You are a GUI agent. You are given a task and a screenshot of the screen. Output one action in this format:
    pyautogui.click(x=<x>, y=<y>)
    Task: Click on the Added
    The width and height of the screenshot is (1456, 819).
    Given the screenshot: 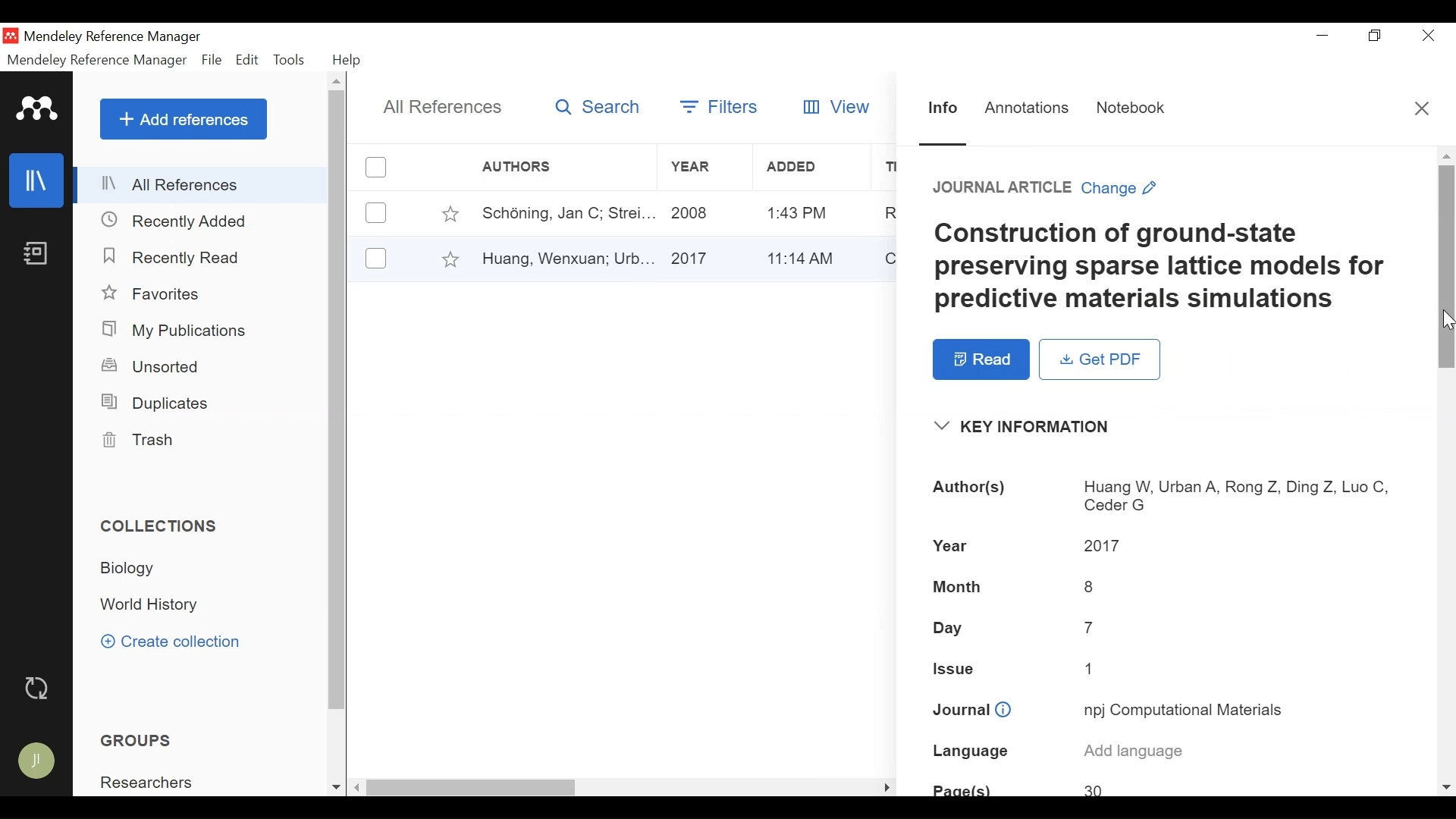 What is the action you would take?
    pyautogui.click(x=808, y=168)
    